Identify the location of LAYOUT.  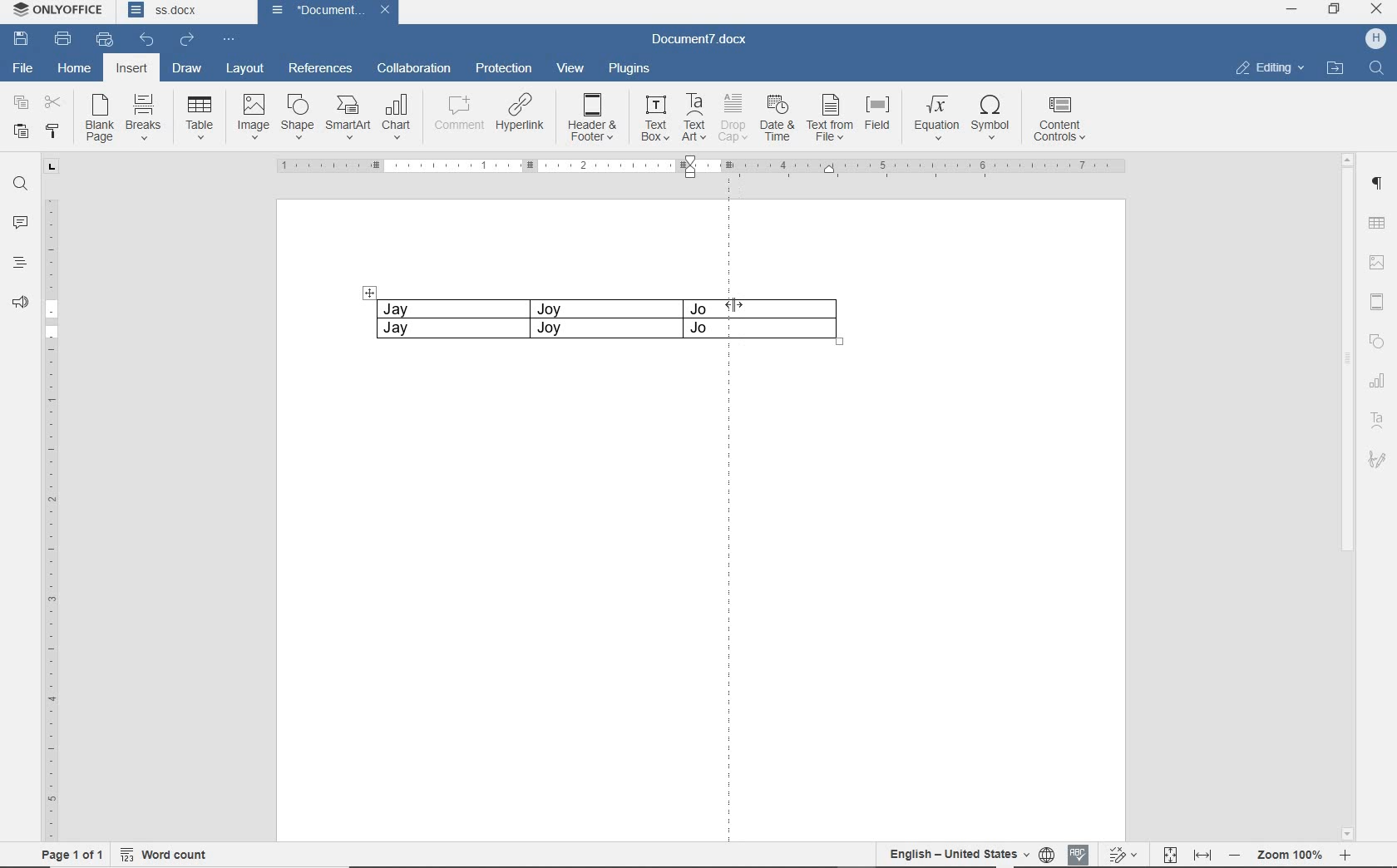
(245, 69).